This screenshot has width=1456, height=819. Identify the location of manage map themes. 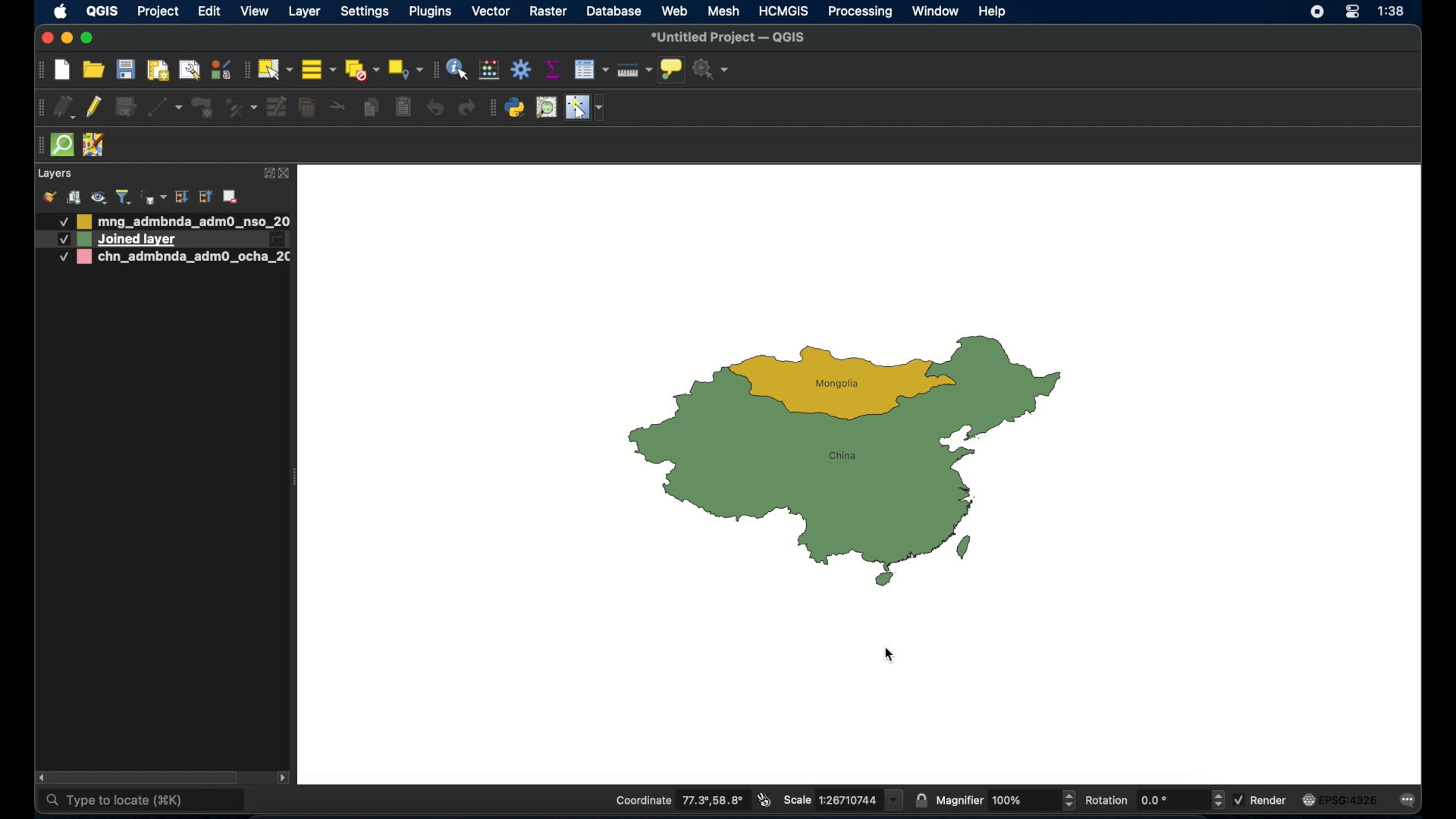
(98, 197).